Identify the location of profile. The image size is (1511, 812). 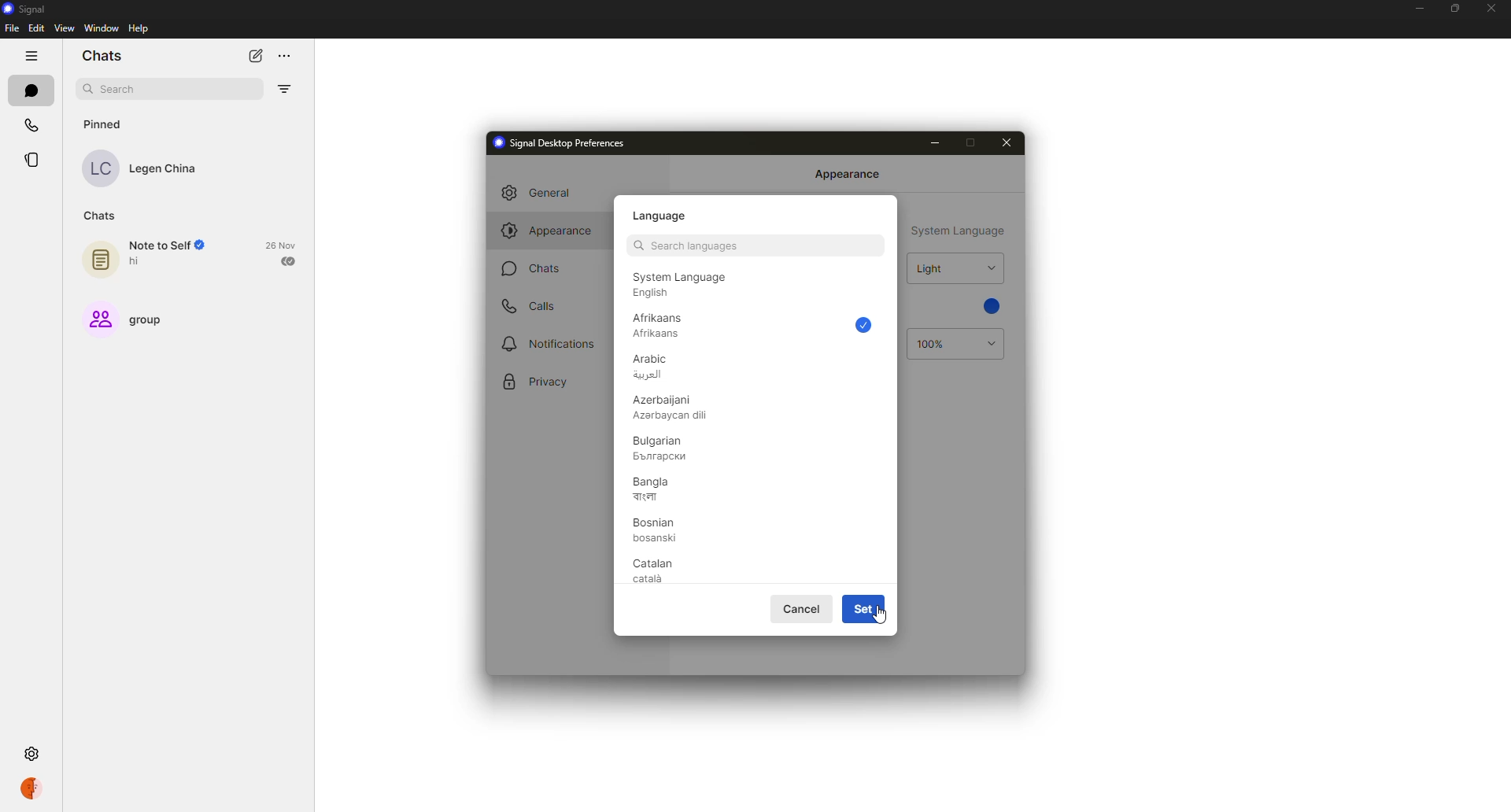
(34, 788).